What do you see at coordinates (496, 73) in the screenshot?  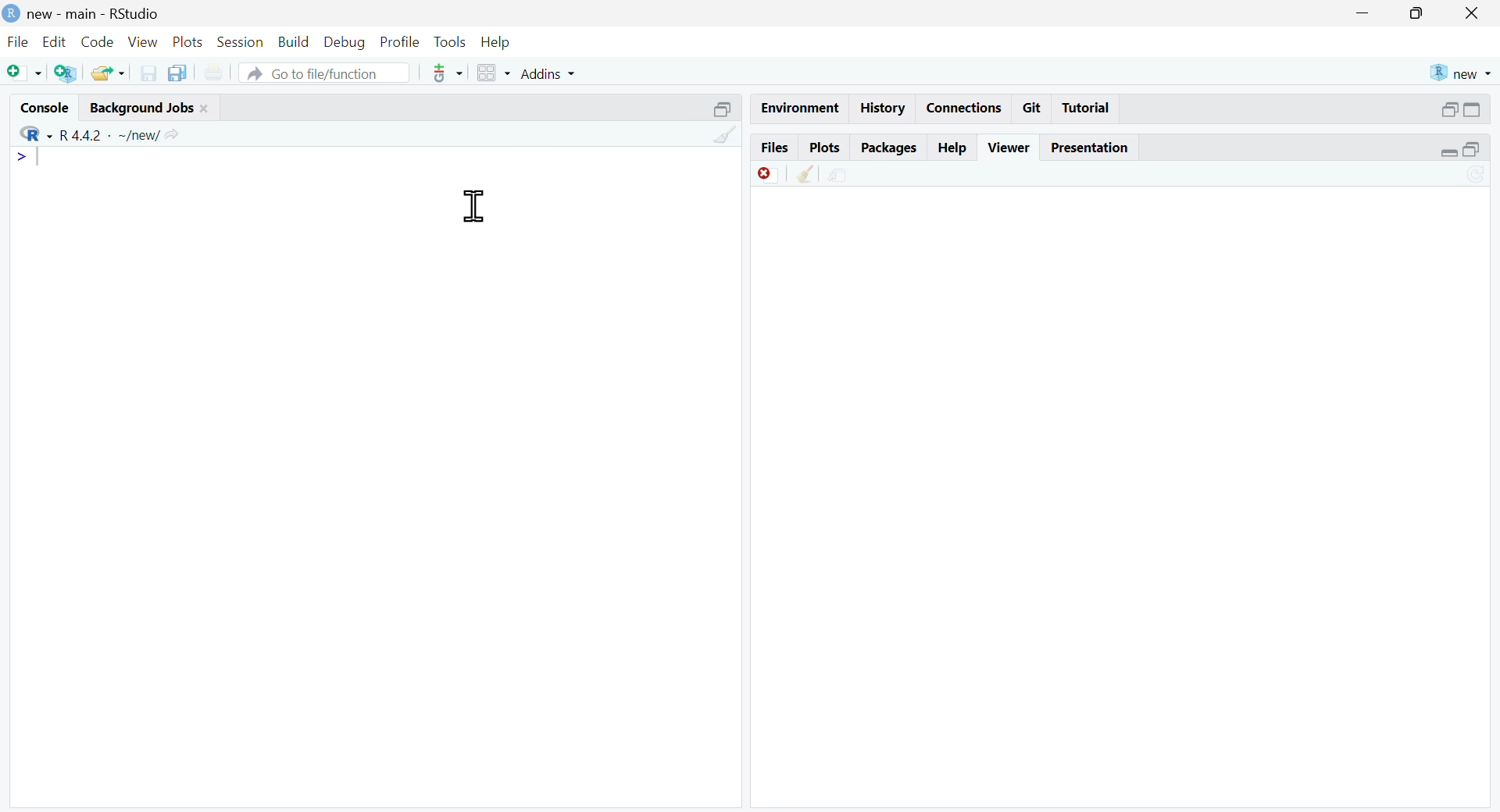 I see `grid` at bounding box center [496, 73].